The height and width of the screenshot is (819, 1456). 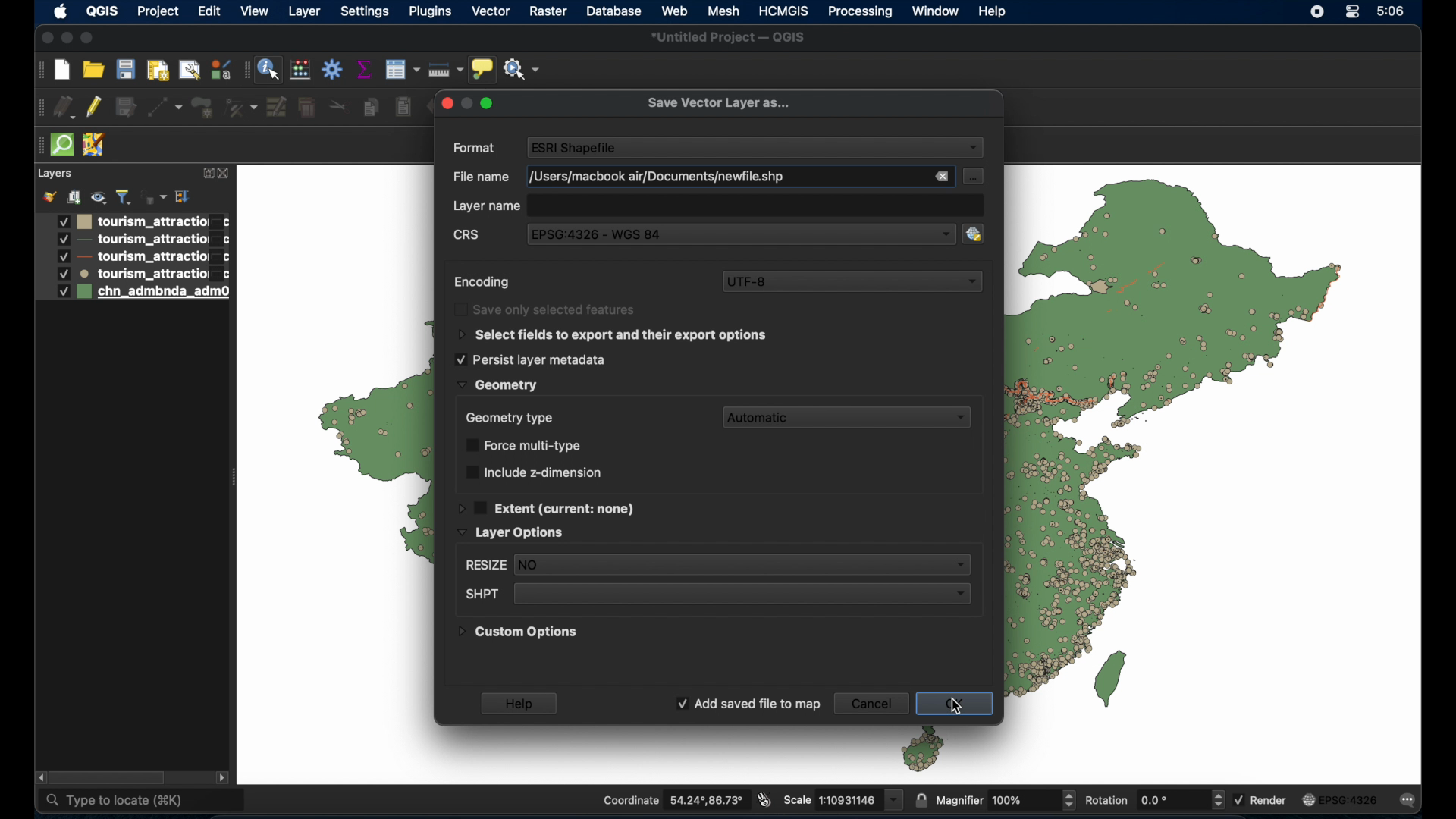 I want to click on file name, so click(x=653, y=177).